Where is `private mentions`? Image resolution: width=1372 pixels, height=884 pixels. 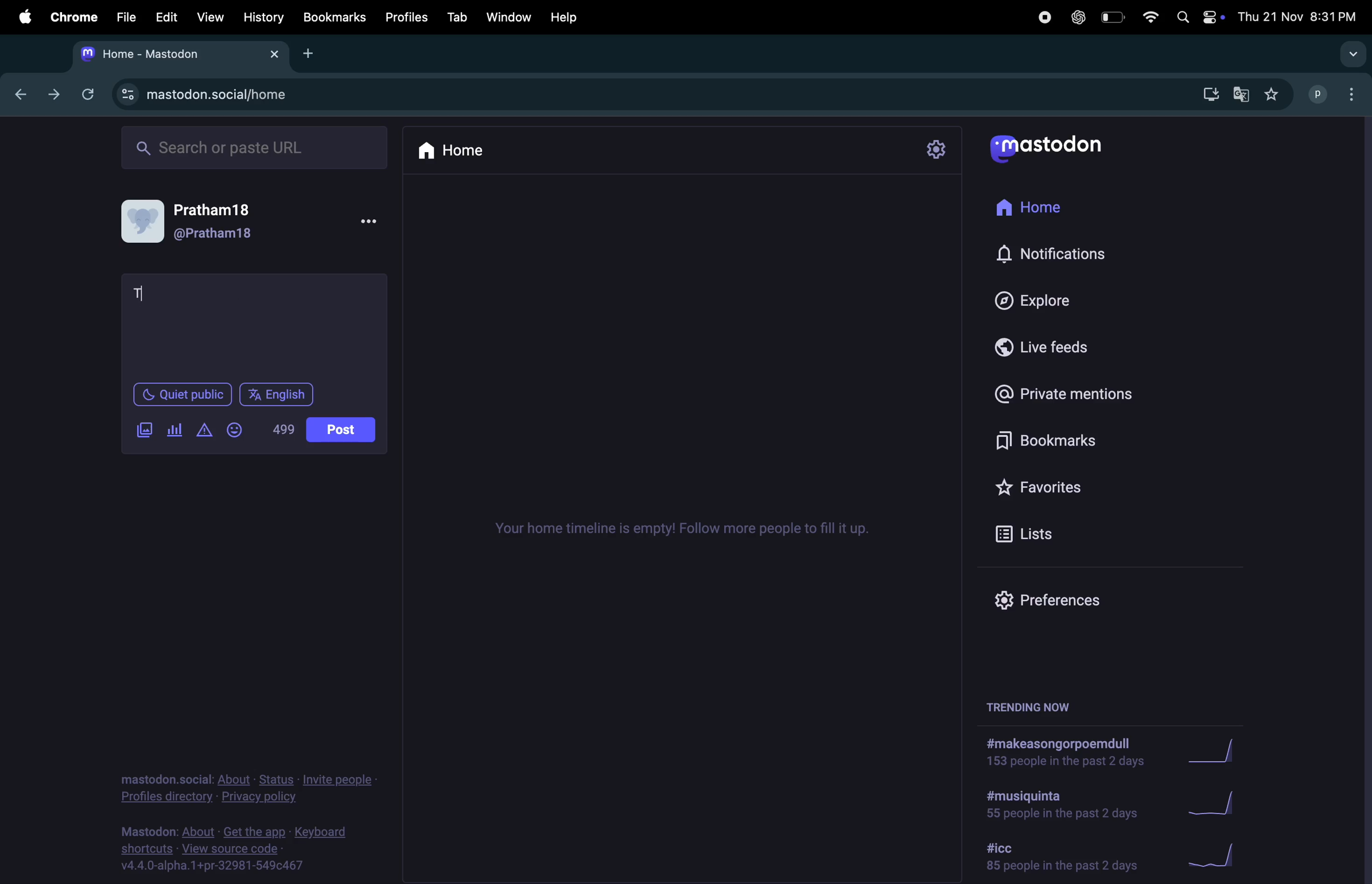
private mentions is located at coordinates (1061, 396).